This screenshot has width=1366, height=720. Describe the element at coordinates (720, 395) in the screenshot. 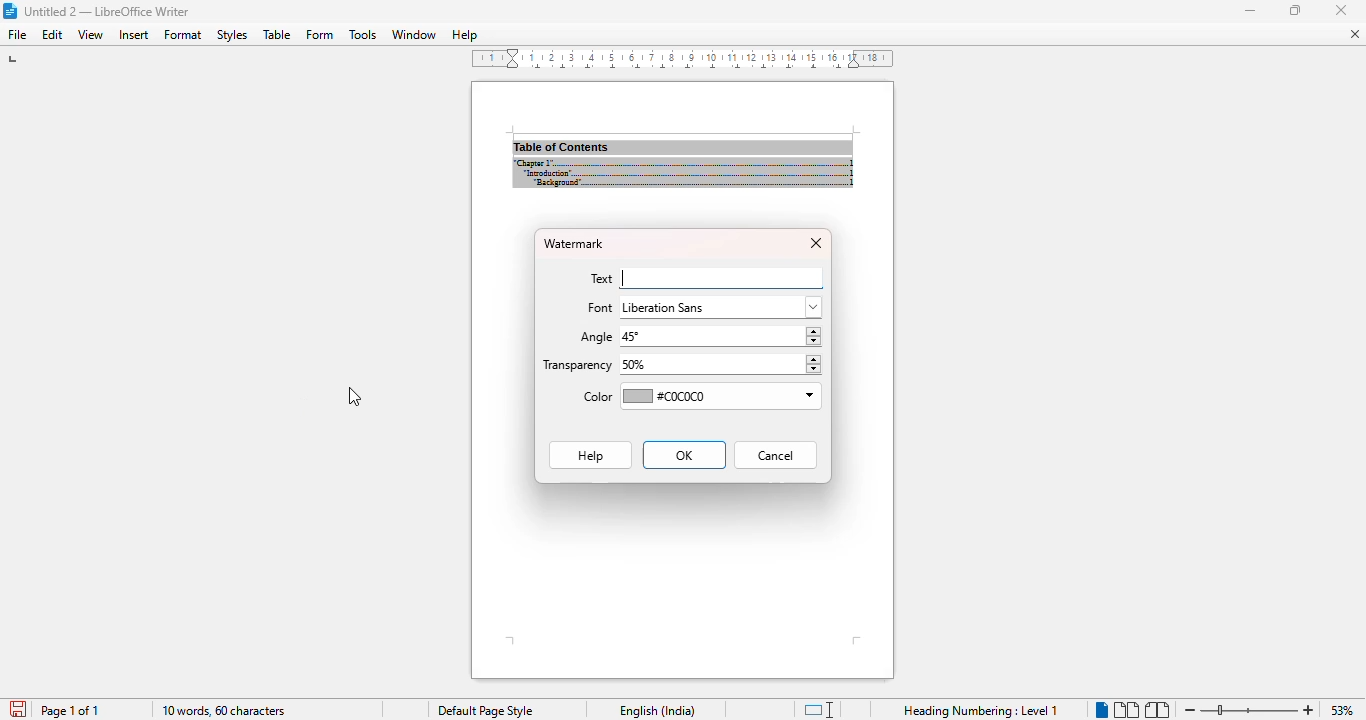

I see `#C0C0C0` at that location.